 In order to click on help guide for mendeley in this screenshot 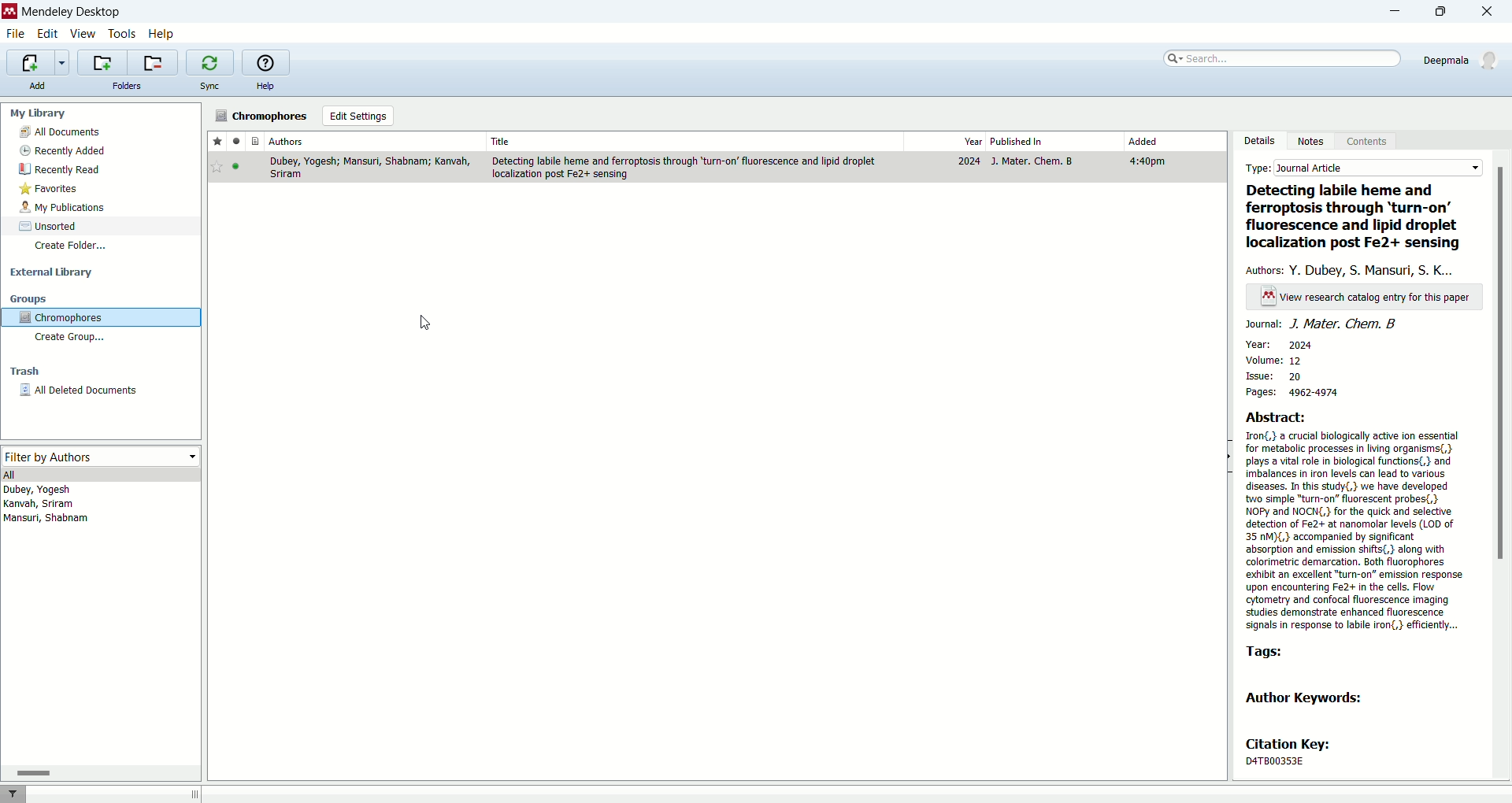, I will do `click(265, 62)`.